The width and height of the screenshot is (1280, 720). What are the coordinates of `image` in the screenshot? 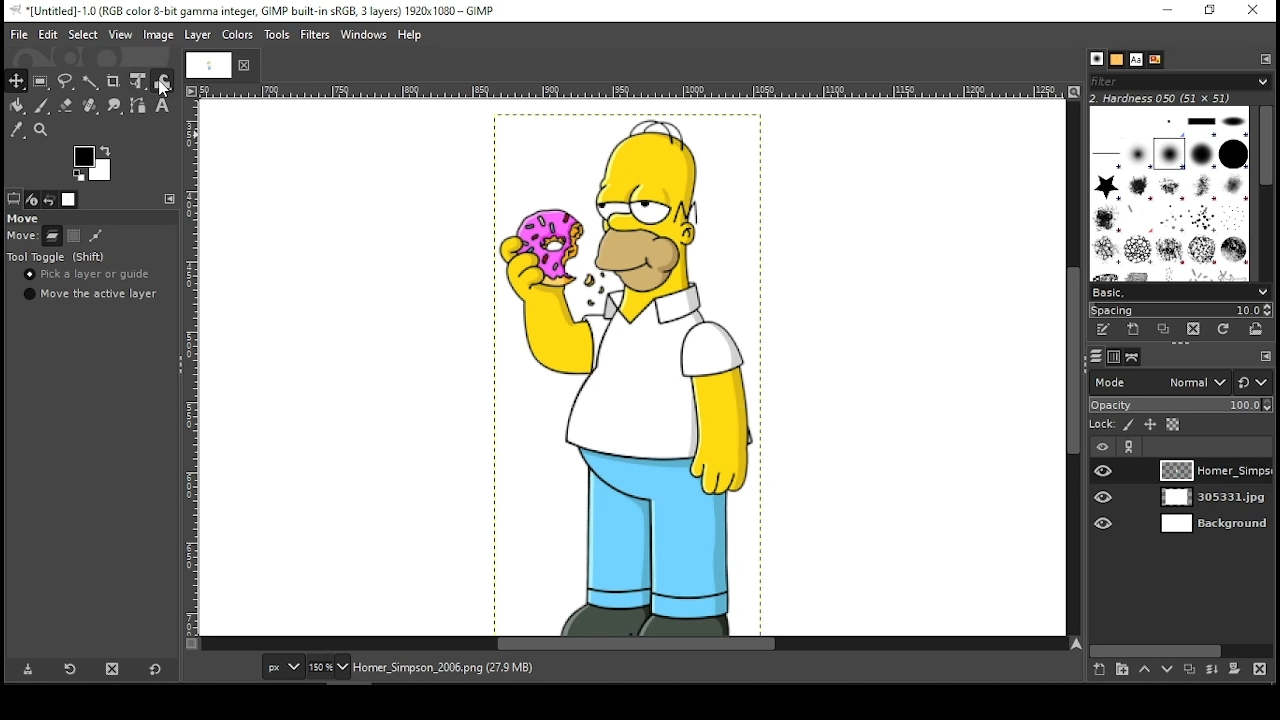 It's located at (629, 374).